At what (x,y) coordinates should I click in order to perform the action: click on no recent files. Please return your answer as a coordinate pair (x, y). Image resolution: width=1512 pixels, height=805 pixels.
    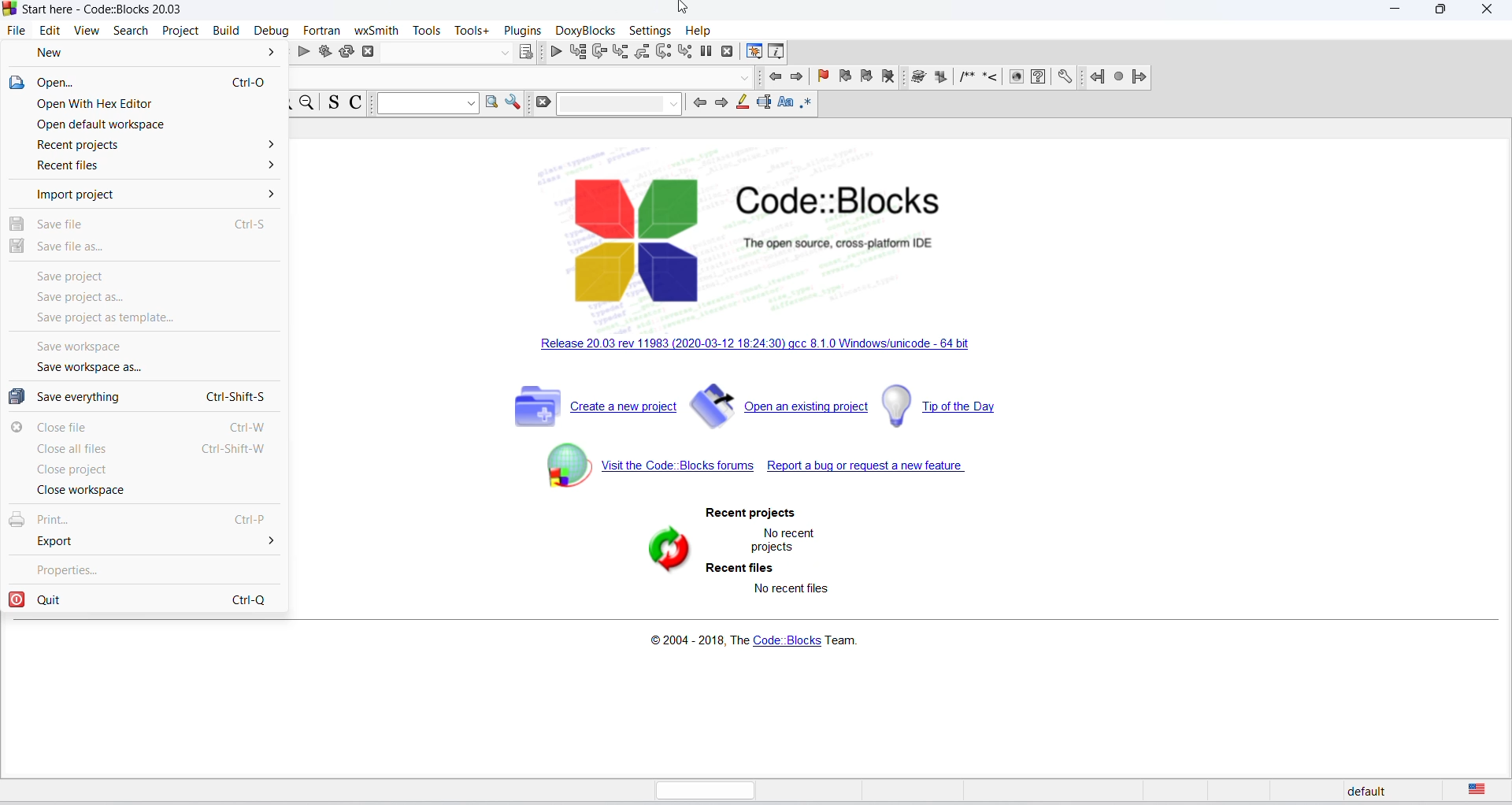
    Looking at the image, I should click on (797, 593).